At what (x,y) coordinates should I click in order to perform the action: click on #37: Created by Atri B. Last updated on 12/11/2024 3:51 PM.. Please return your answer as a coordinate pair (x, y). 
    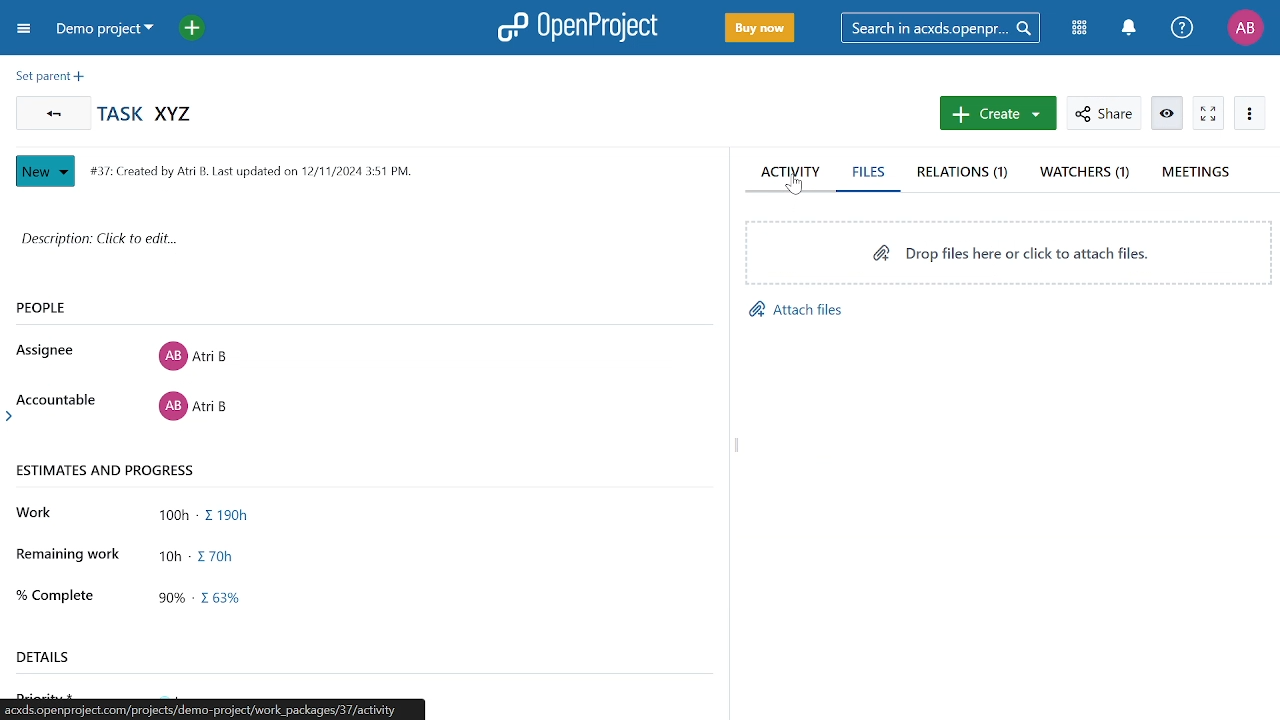
    Looking at the image, I should click on (267, 172).